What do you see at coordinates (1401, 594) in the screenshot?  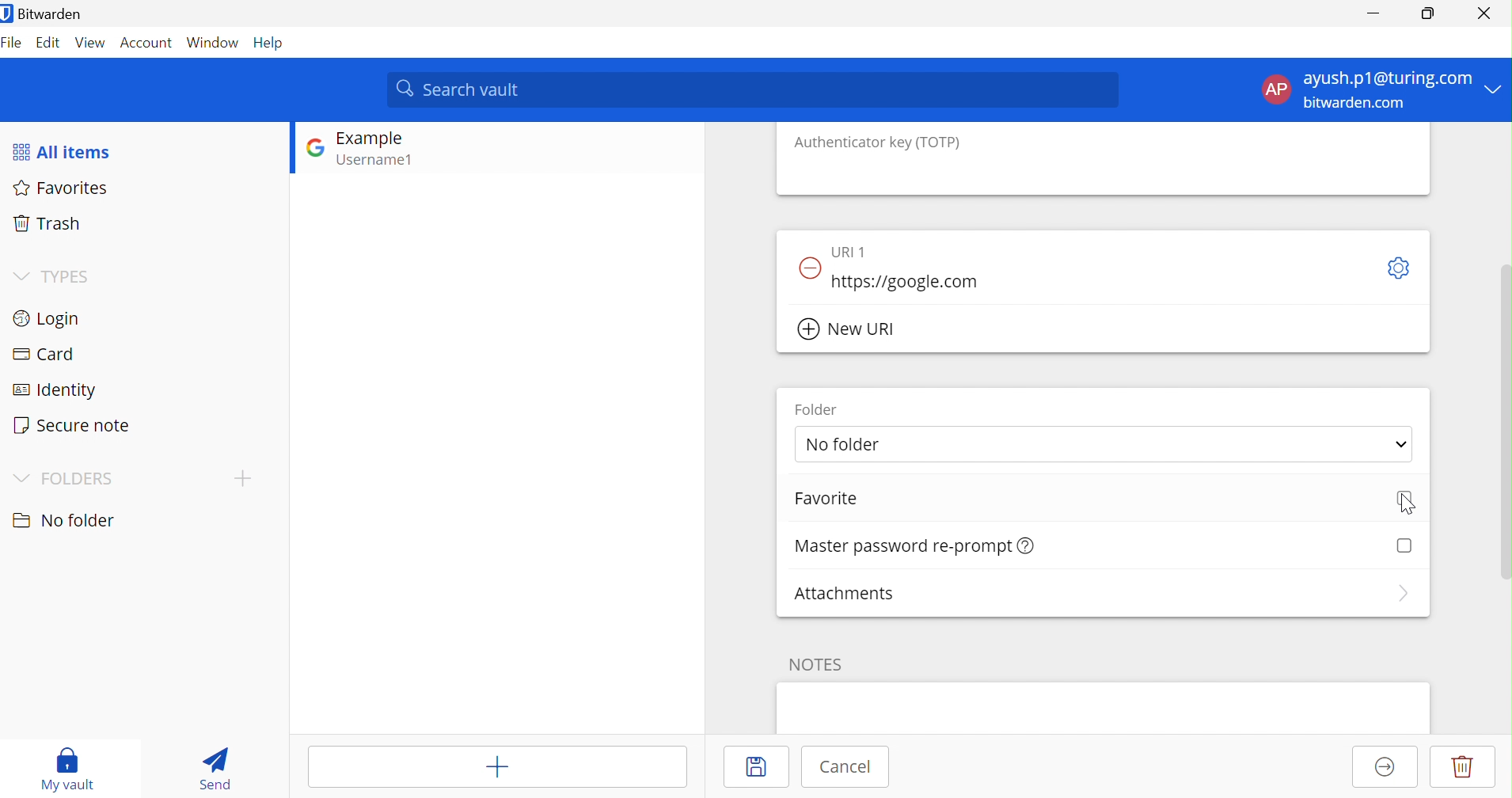 I see `More` at bounding box center [1401, 594].